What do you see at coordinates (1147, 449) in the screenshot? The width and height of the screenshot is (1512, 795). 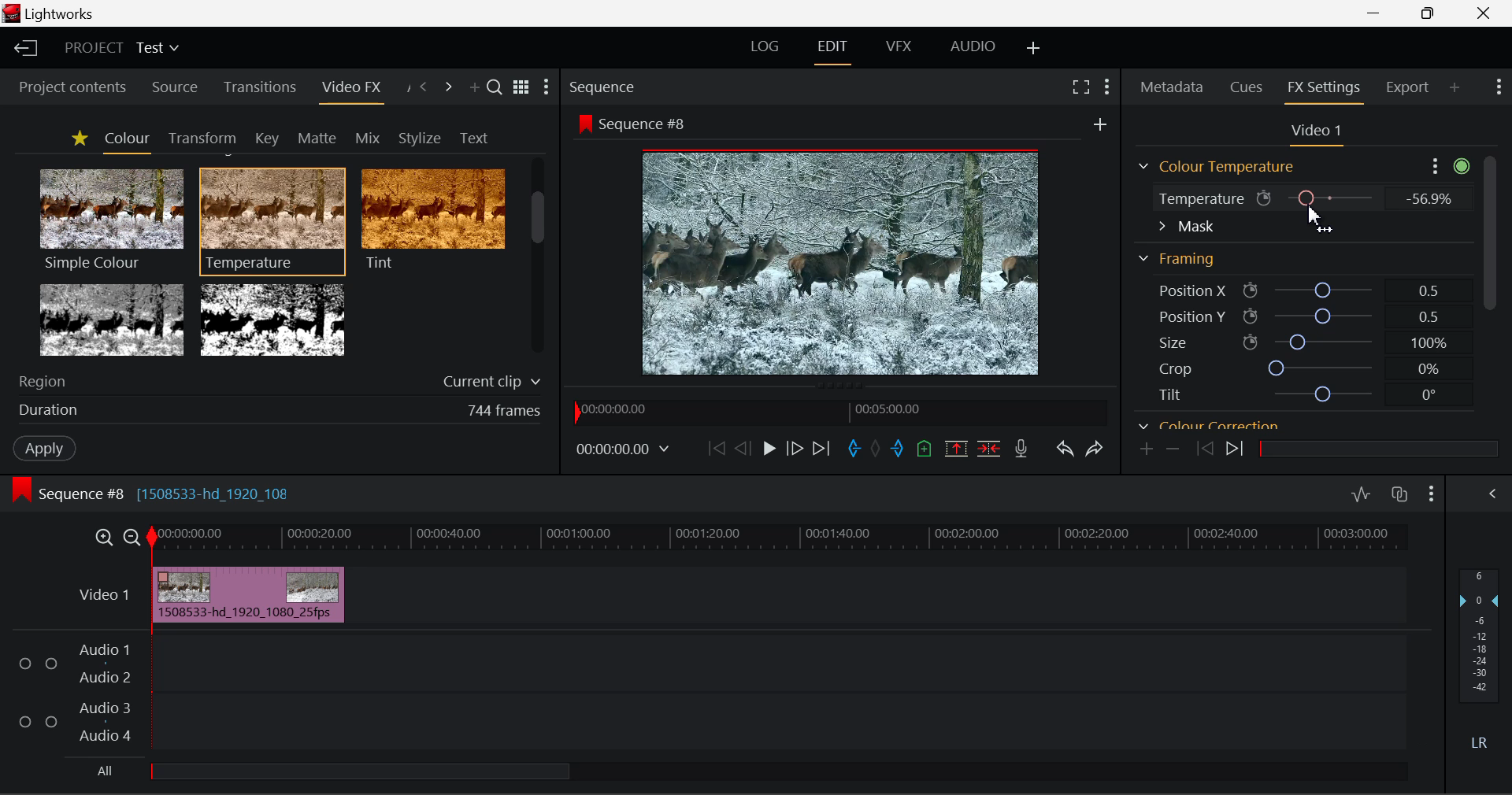 I see `Add keyframe` at bounding box center [1147, 449].